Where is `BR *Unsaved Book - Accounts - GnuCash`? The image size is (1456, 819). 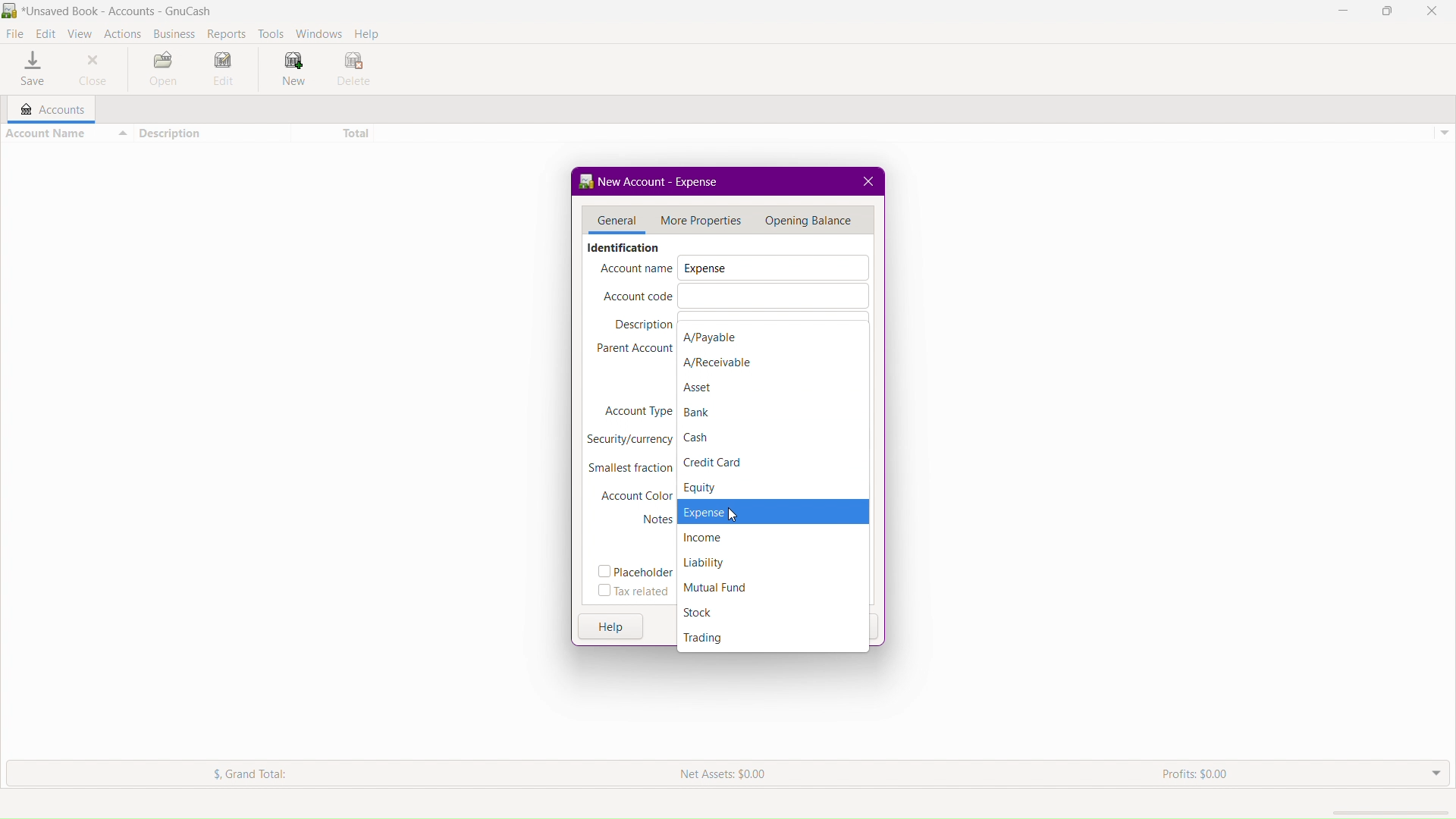
BR *Unsaved Book - Accounts - GnuCash is located at coordinates (113, 10).